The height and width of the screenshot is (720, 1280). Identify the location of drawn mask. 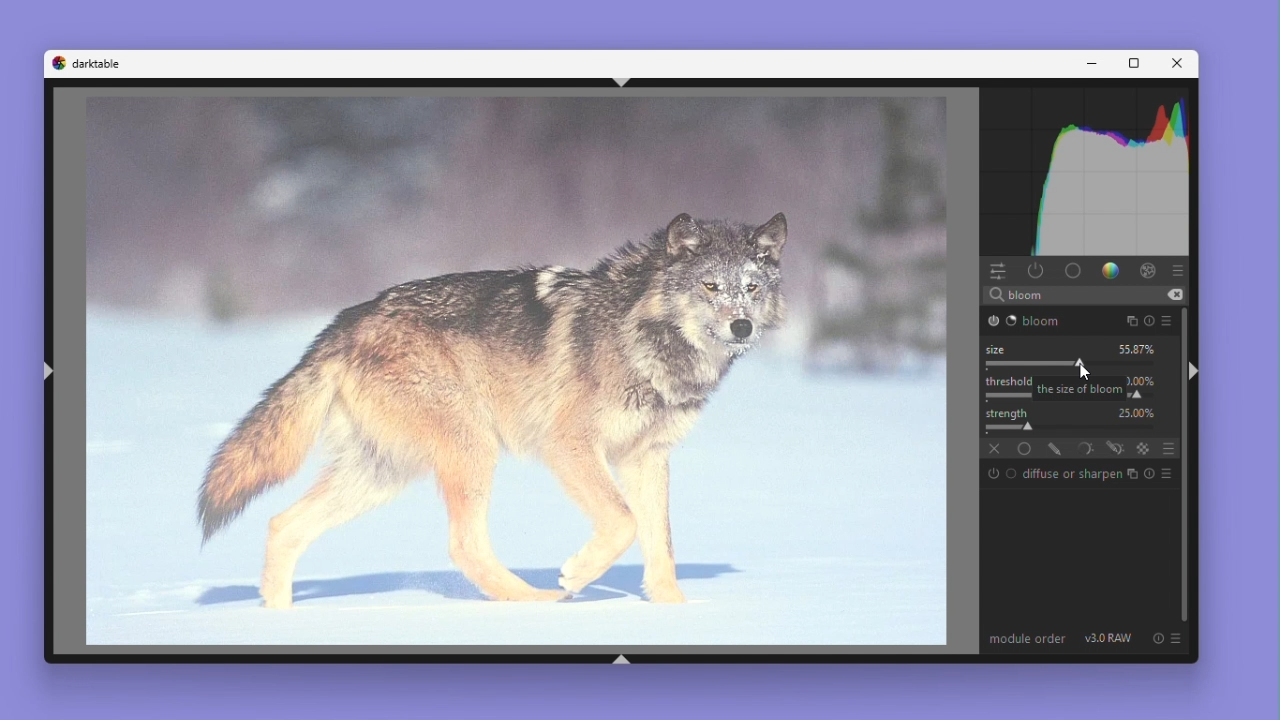
(1057, 449).